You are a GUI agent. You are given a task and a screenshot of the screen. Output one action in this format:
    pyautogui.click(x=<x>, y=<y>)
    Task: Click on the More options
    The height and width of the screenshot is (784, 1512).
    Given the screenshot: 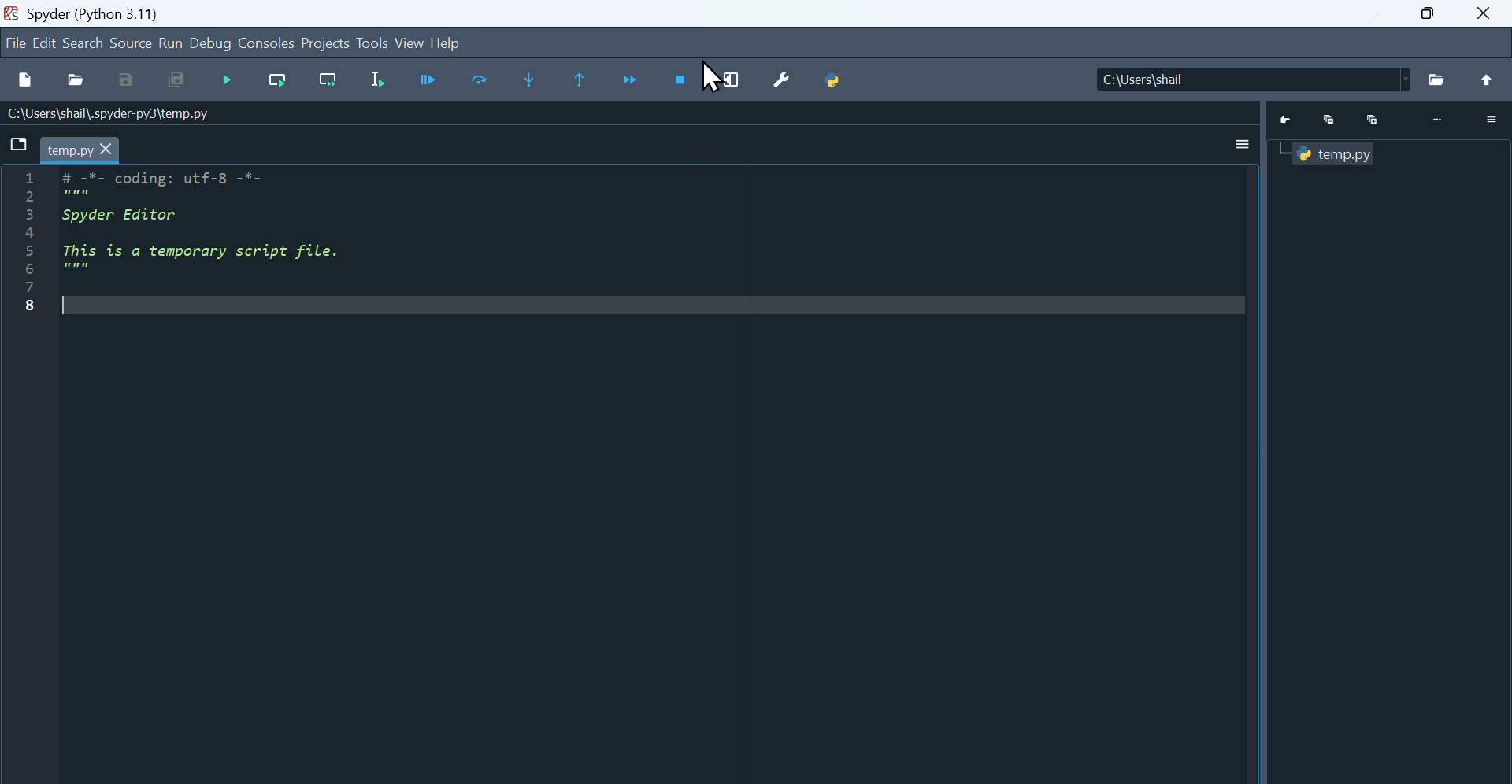 What is the action you would take?
    pyautogui.click(x=1238, y=145)
    